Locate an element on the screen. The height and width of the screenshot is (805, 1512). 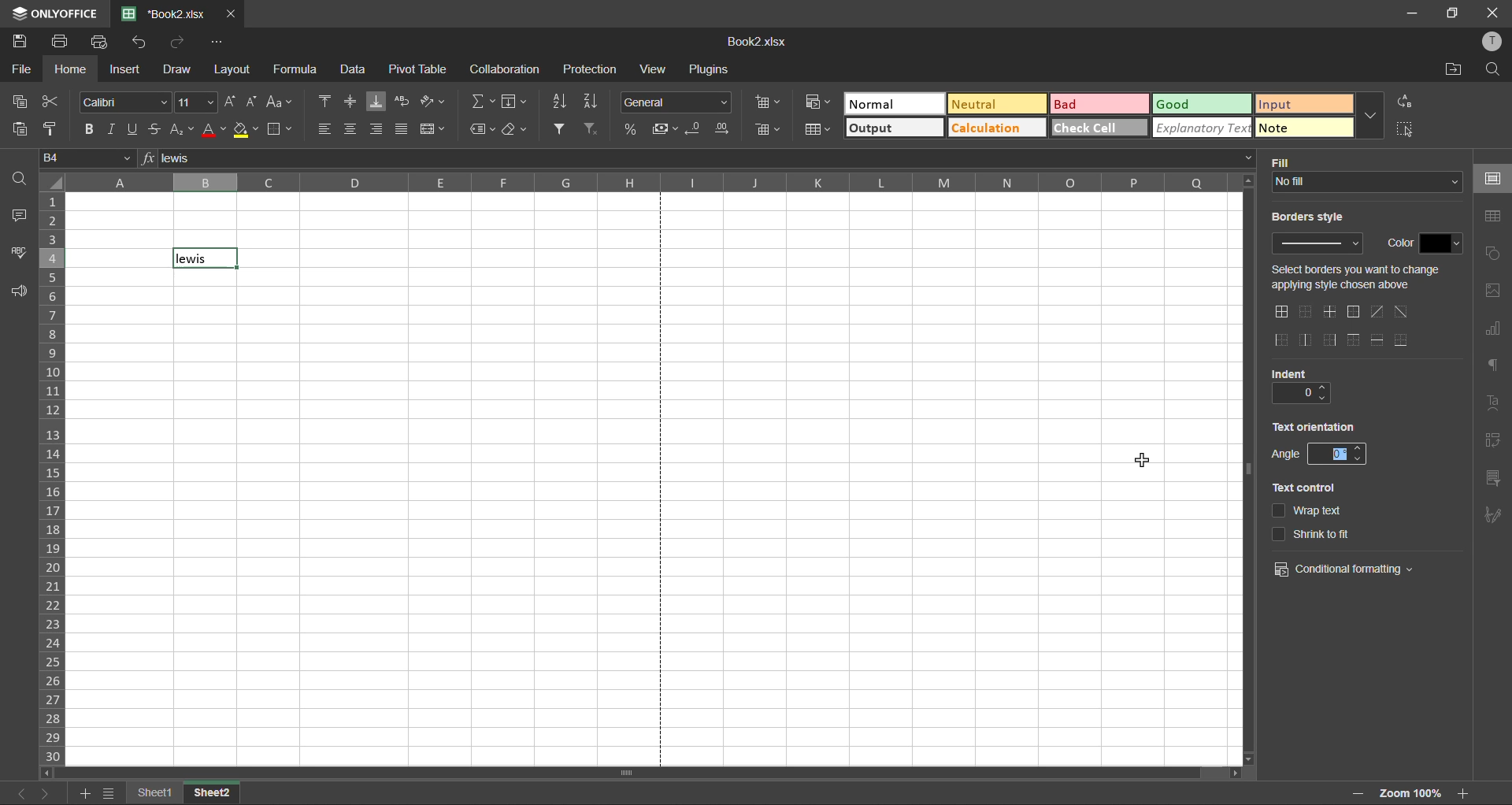
right outside border only is located at coordinates (1329, 339).